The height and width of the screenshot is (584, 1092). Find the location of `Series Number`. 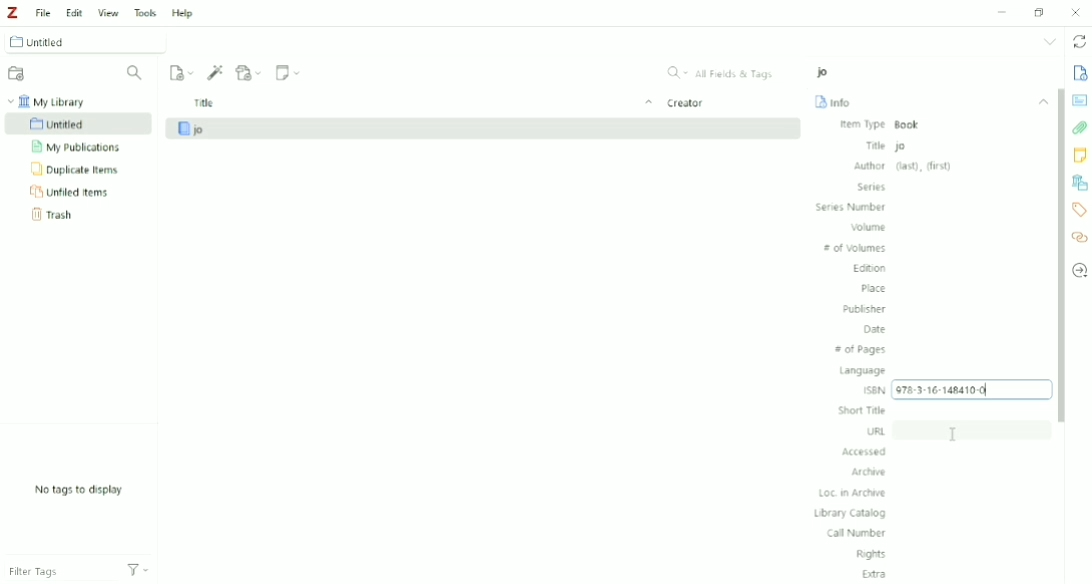

Series Number is located at coordinates (850, 207).